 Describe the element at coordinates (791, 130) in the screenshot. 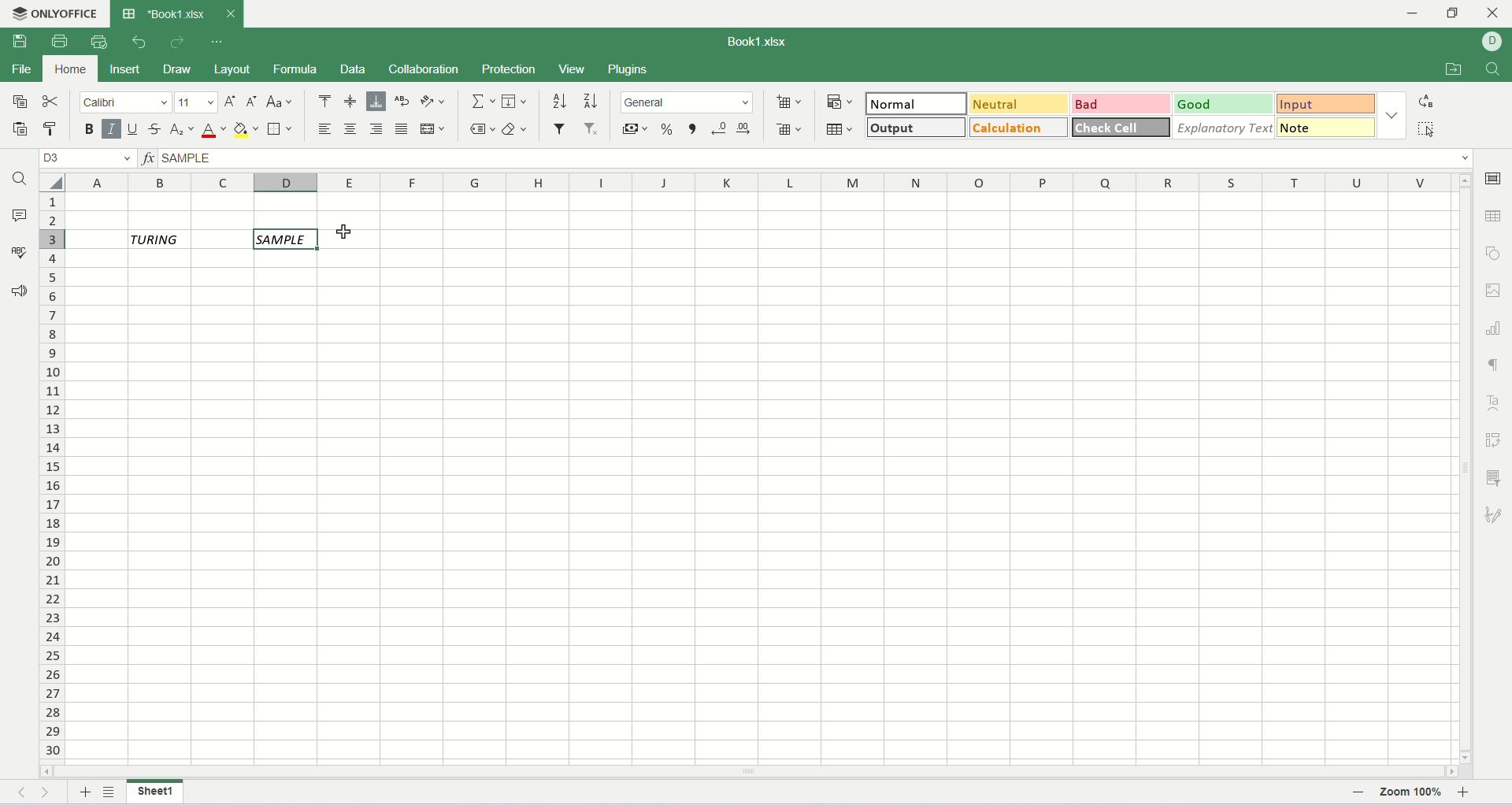

I see `remove cell` at that location.